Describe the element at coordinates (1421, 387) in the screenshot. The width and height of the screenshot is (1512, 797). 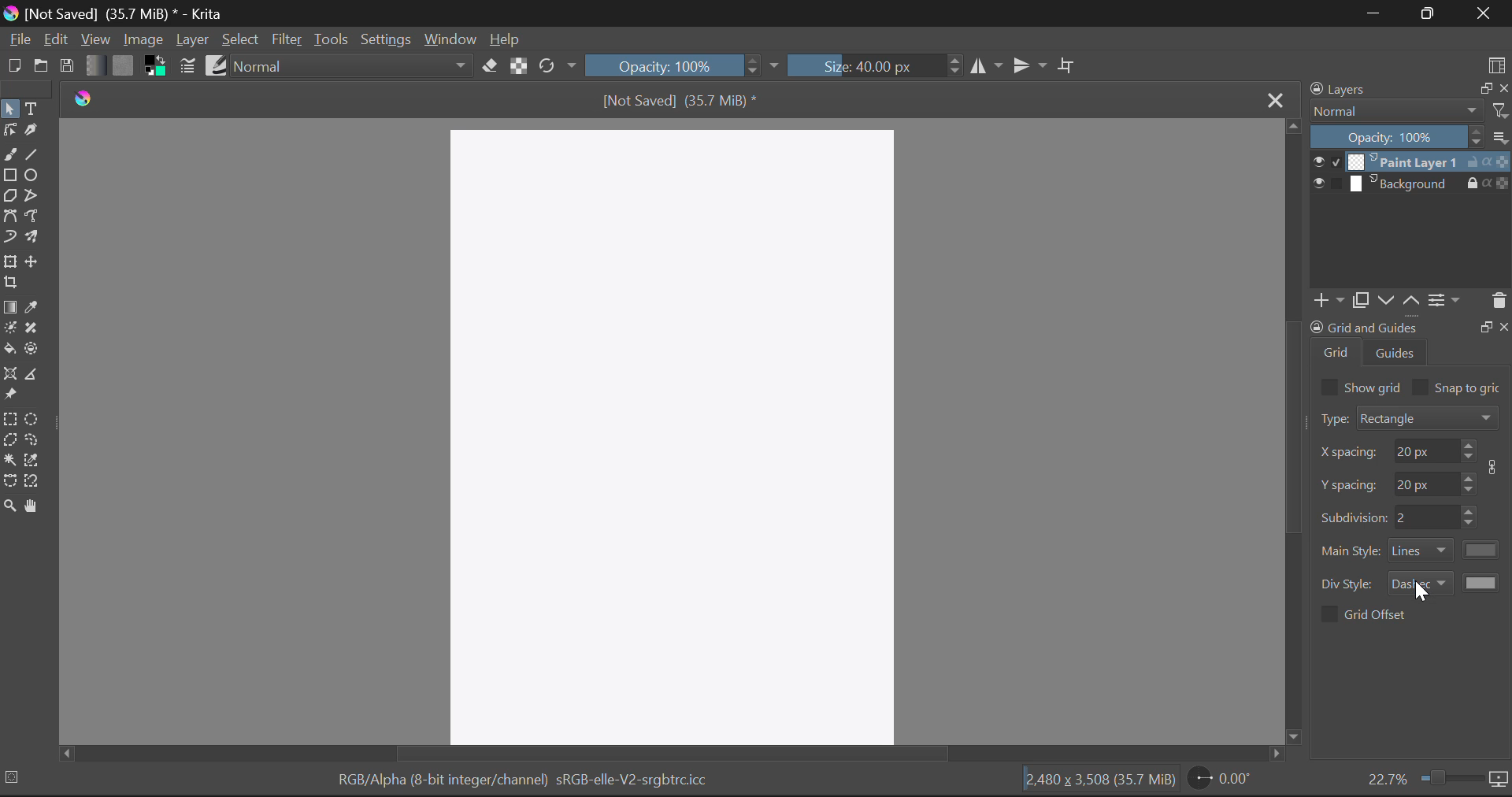
I see `checkbox` at that location.